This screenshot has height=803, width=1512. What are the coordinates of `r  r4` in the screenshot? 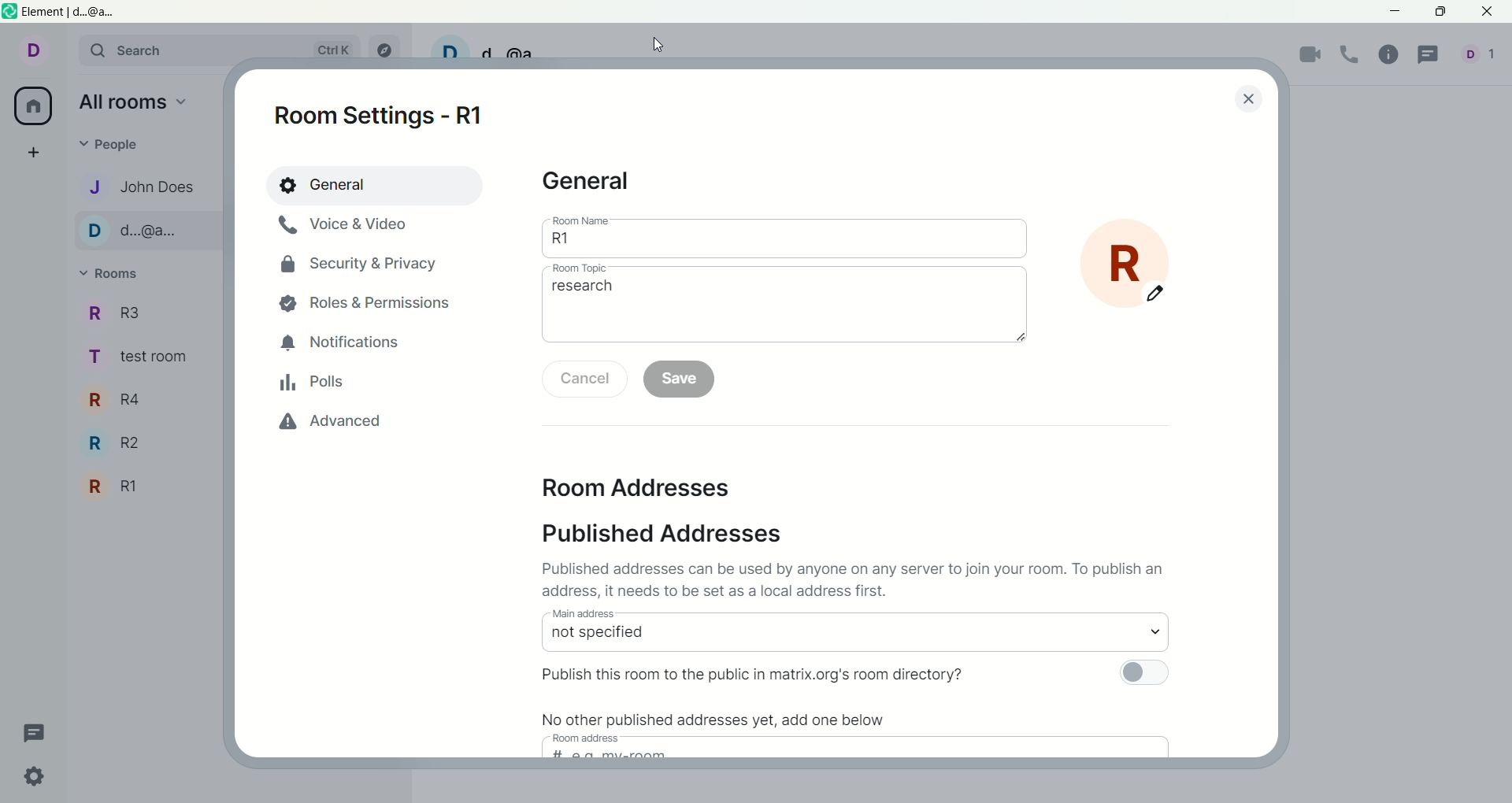 It's located at (121, 402).